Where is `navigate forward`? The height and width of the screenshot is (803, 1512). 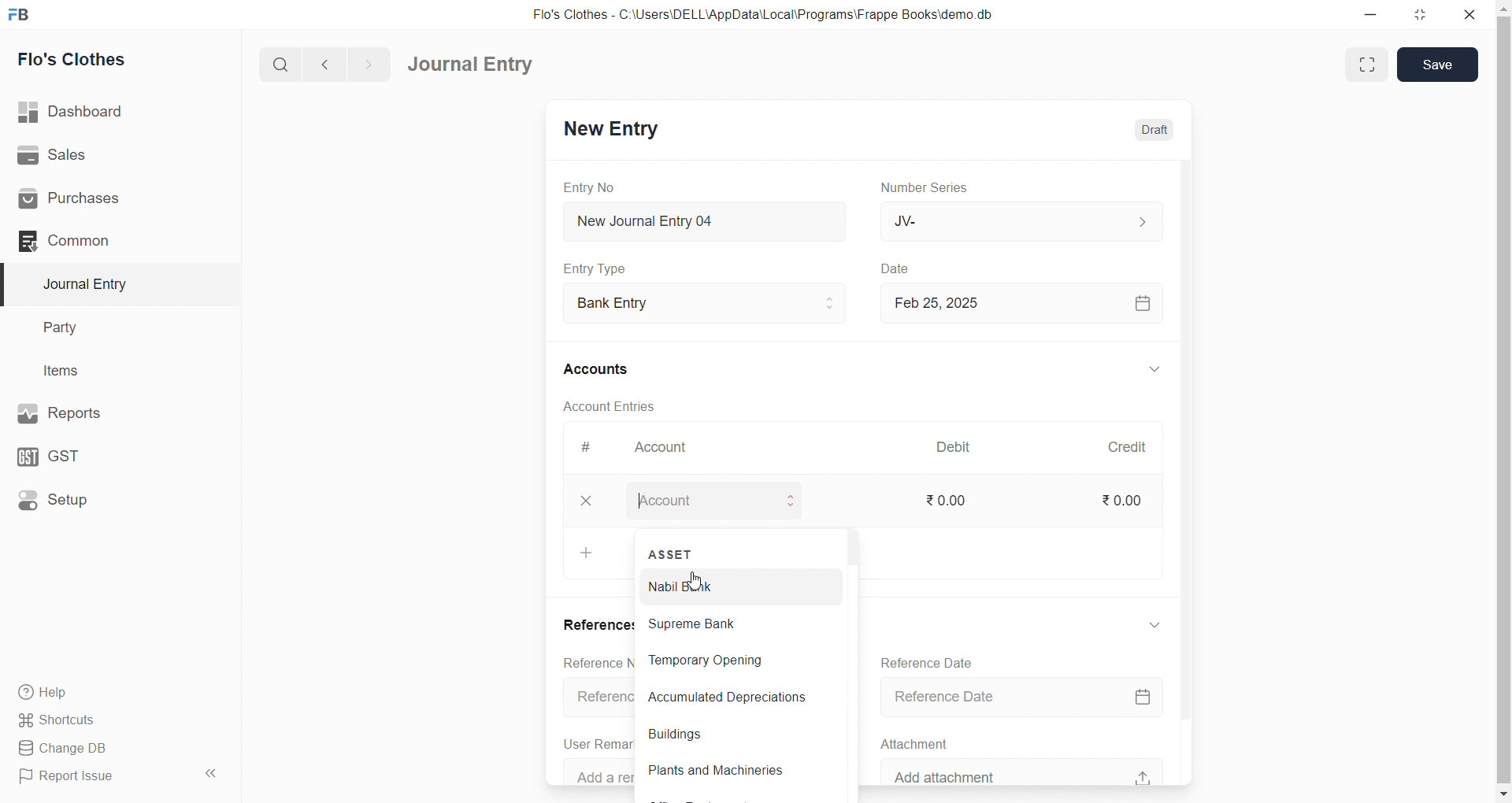 navigate forward is located at coordinates (368, 63).